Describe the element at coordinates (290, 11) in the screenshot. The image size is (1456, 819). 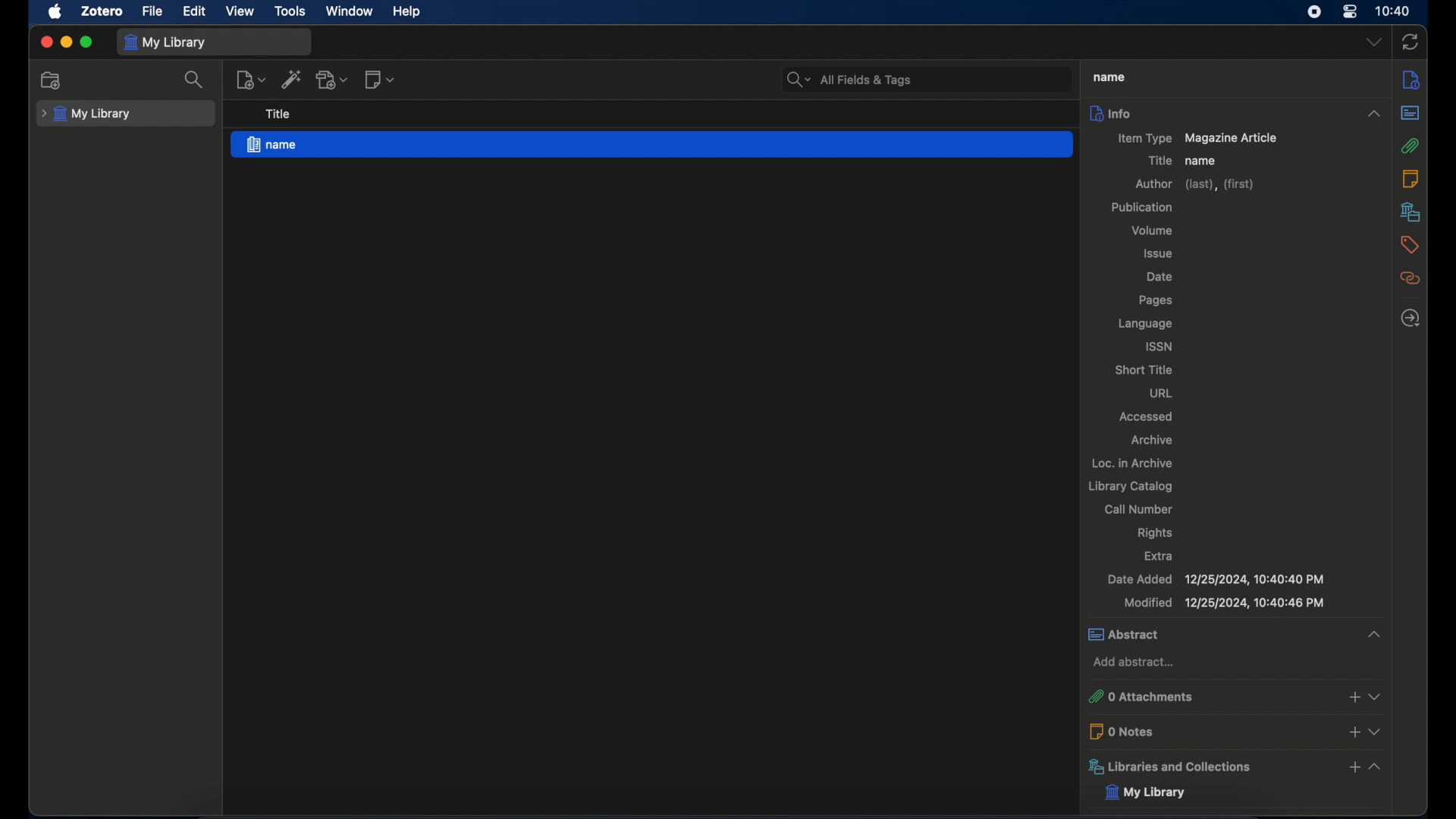
I see `tools` at that location.